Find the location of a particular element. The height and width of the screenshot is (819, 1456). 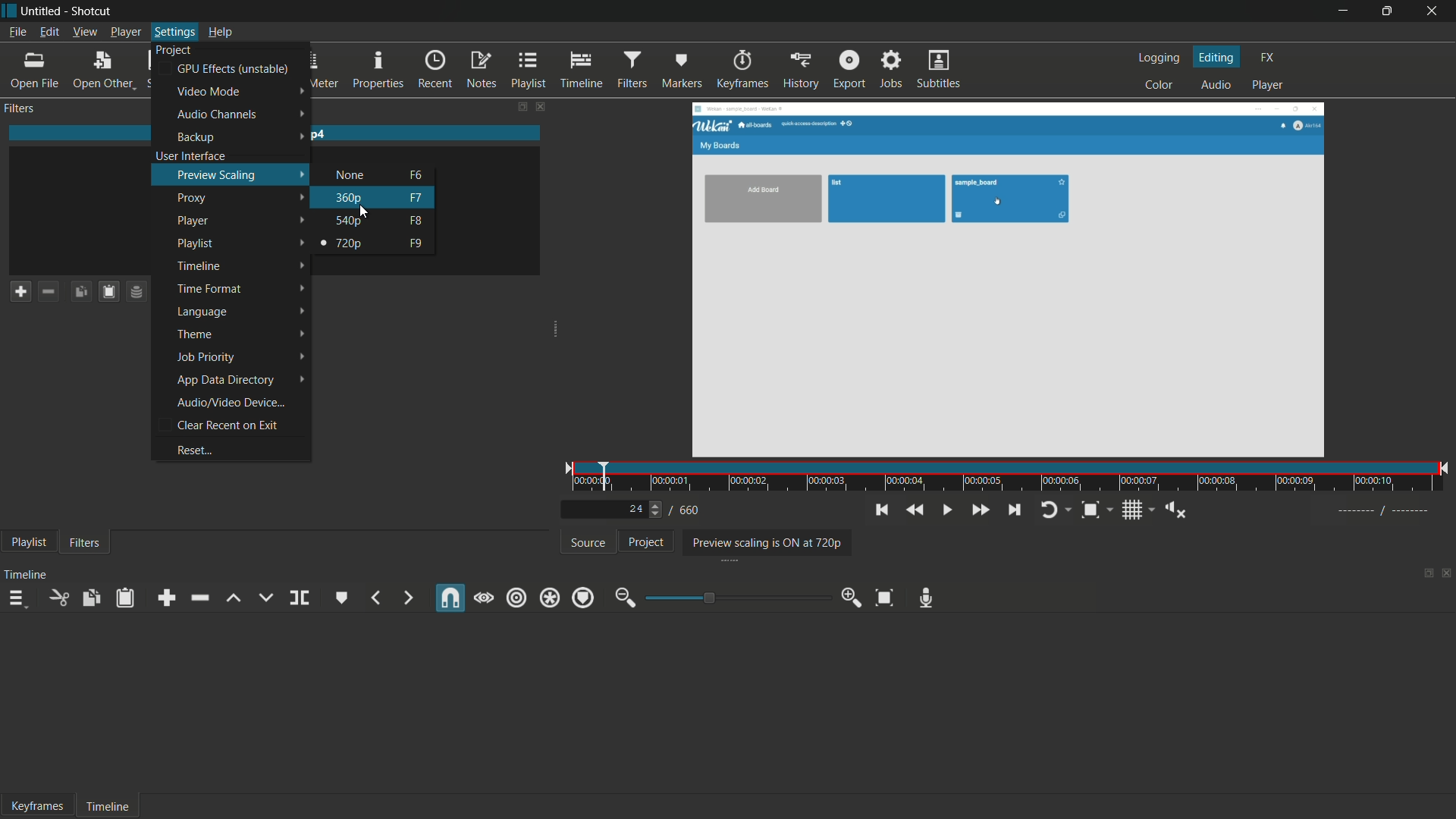

video mode is located at coordinates (208, 91).